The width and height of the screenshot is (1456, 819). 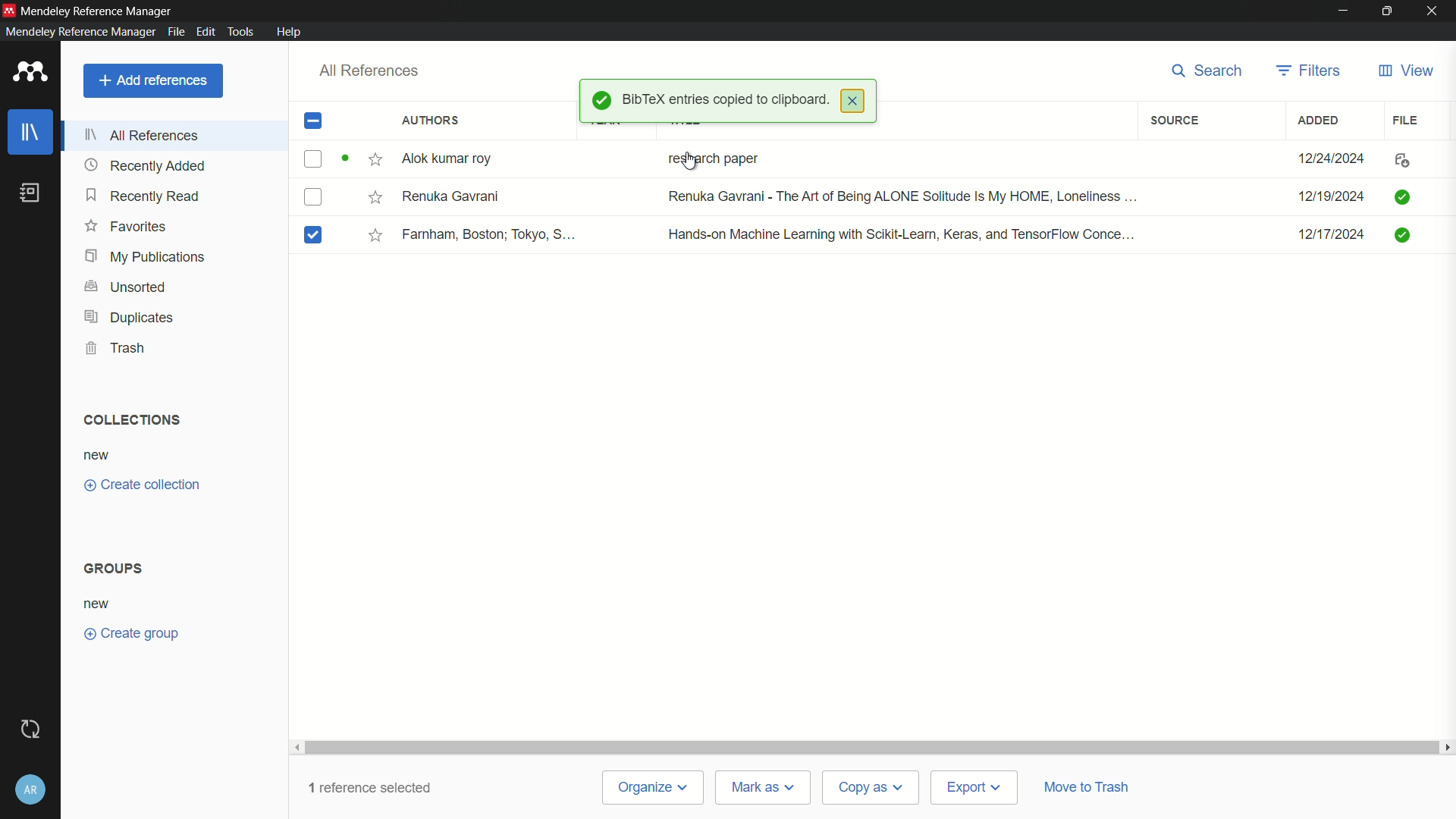 What do you see at coordinates (30, 132) in the screenshot?
I see `library` at bounding box center [30, 132].